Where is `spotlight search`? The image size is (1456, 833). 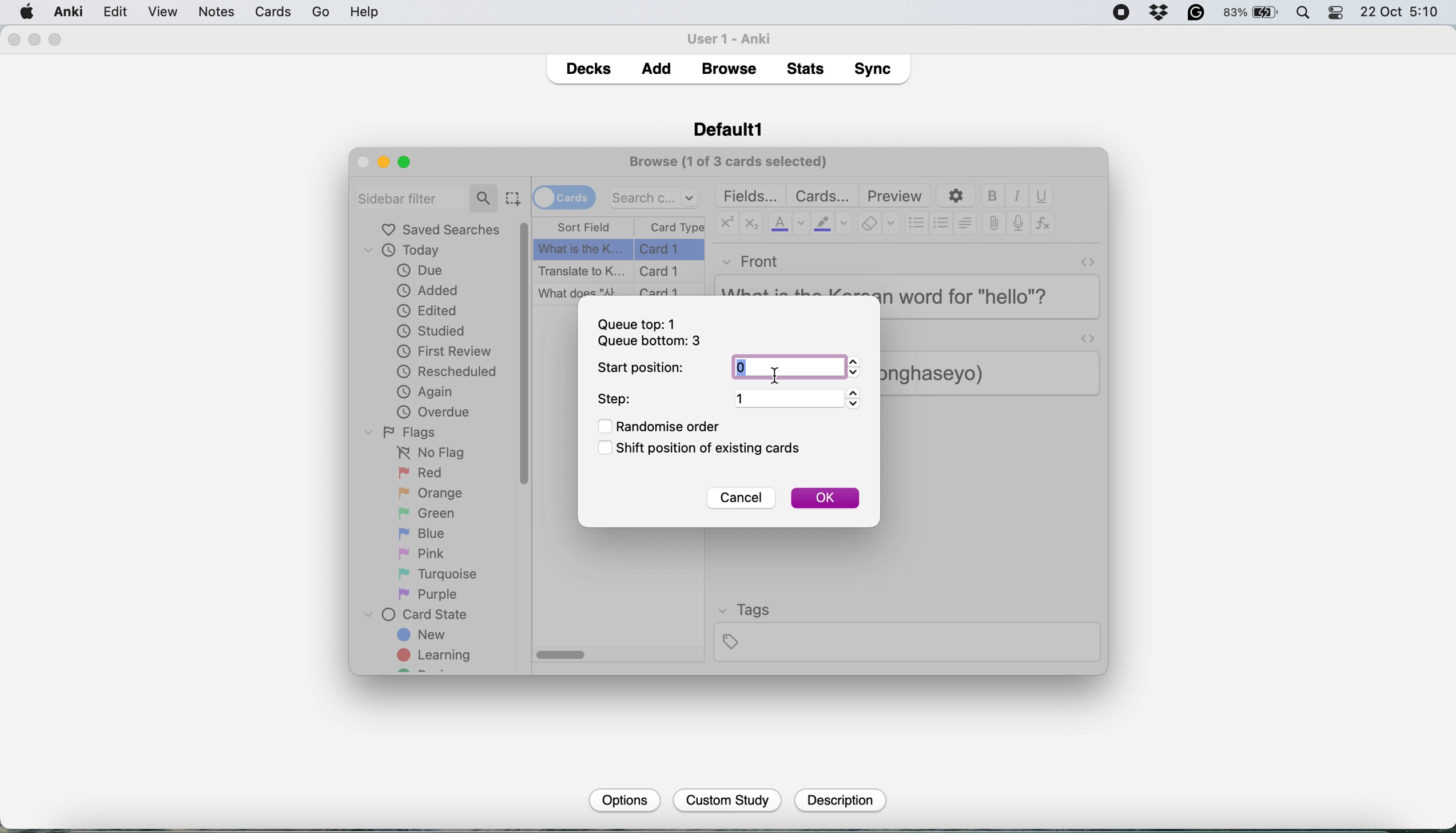 spotlight search is located at coordinates (1306, 14).